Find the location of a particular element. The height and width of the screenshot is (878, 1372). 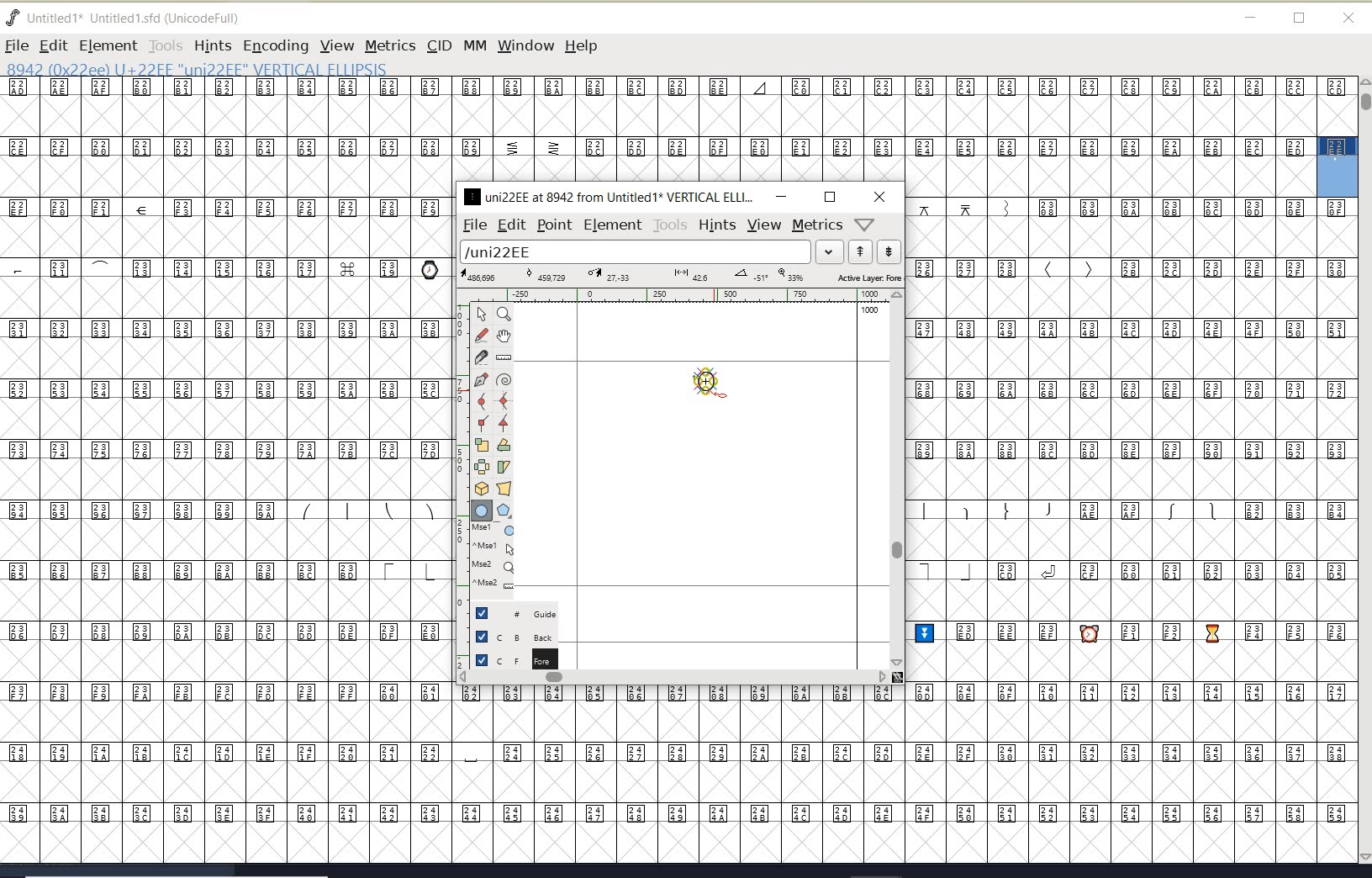

CID is located at coordinates (438, 45).